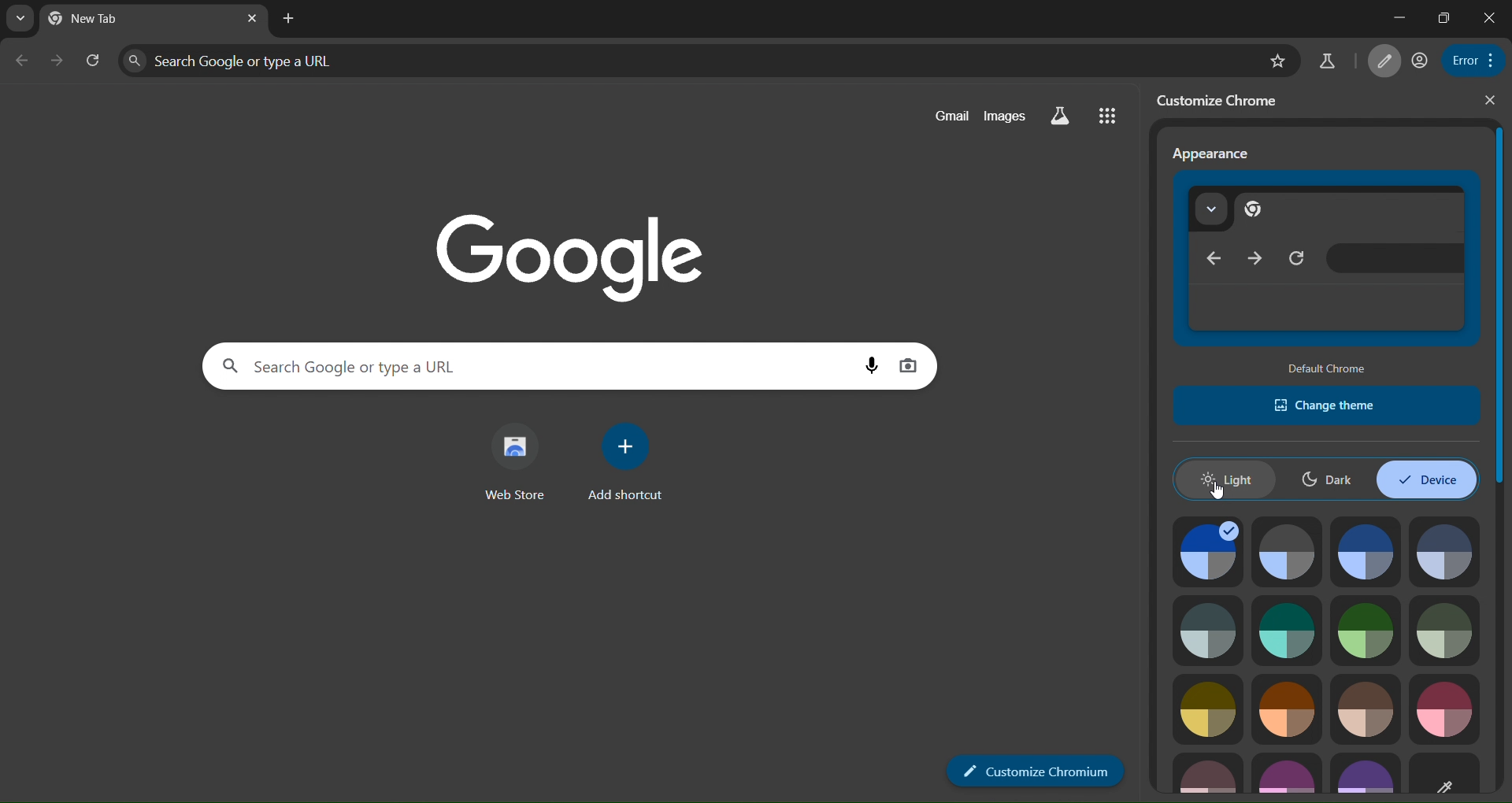 The image size is (1512, 803). Describe the element at coordinates (1331, 261) in the screenshot. I see `appearance preview` at that location.